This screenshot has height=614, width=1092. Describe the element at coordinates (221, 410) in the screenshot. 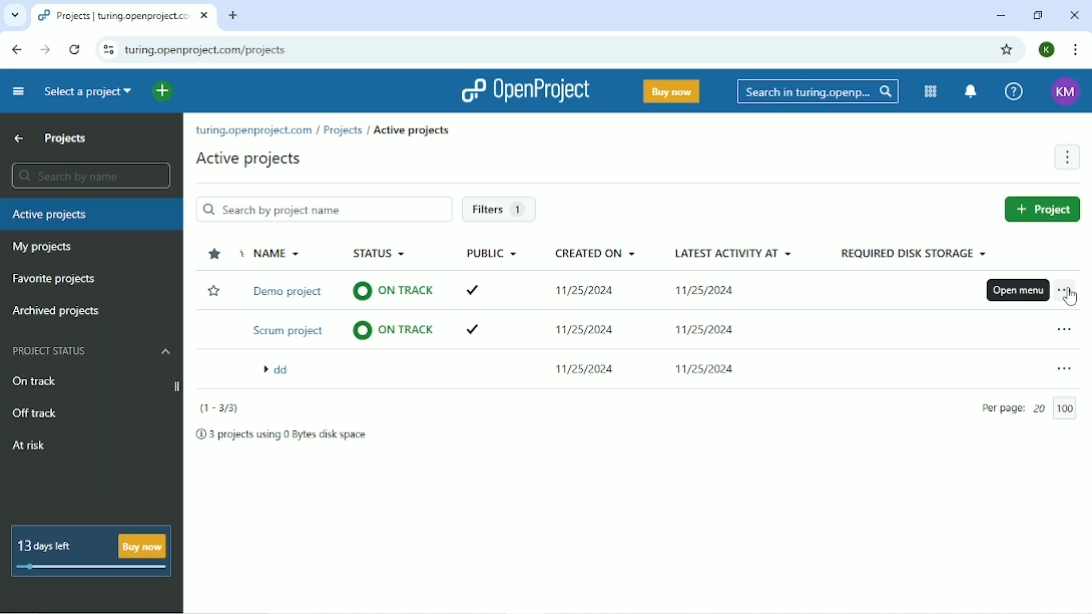

I see `(1-3/3)` at that location.